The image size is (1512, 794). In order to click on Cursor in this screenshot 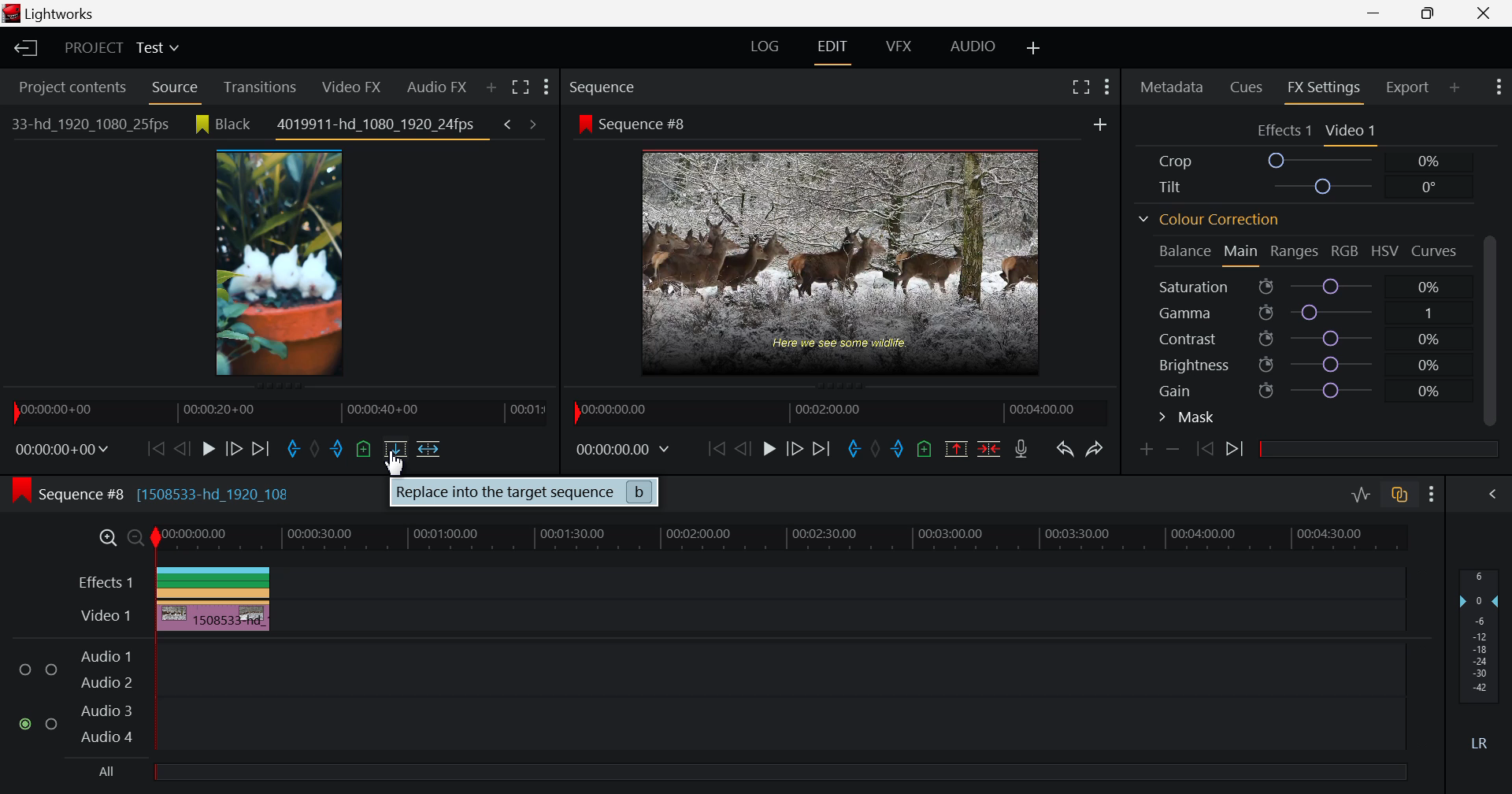, I will do `click(396, 463)`.